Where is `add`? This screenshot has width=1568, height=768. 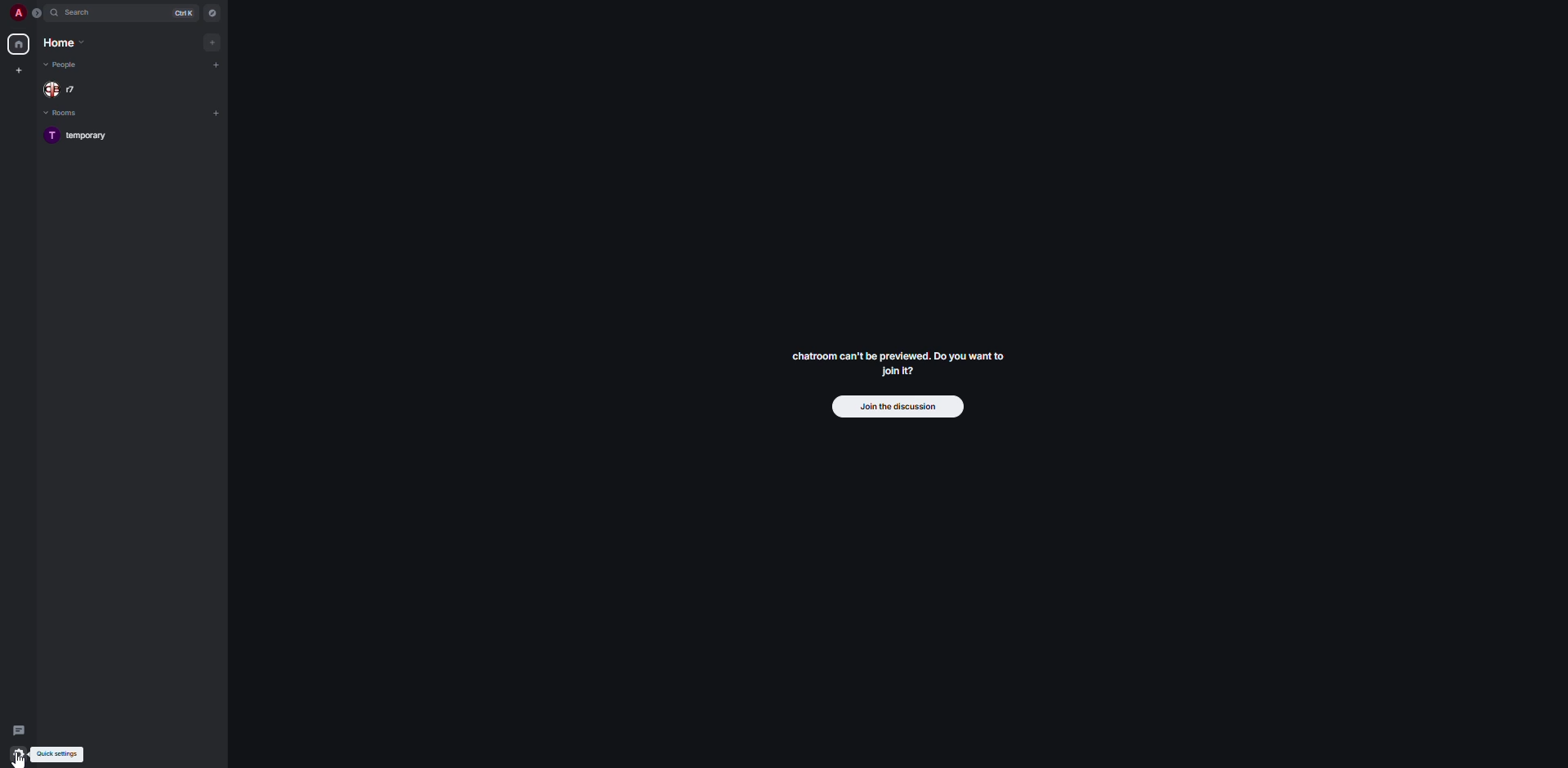
add is located at coordinates (212, 41).